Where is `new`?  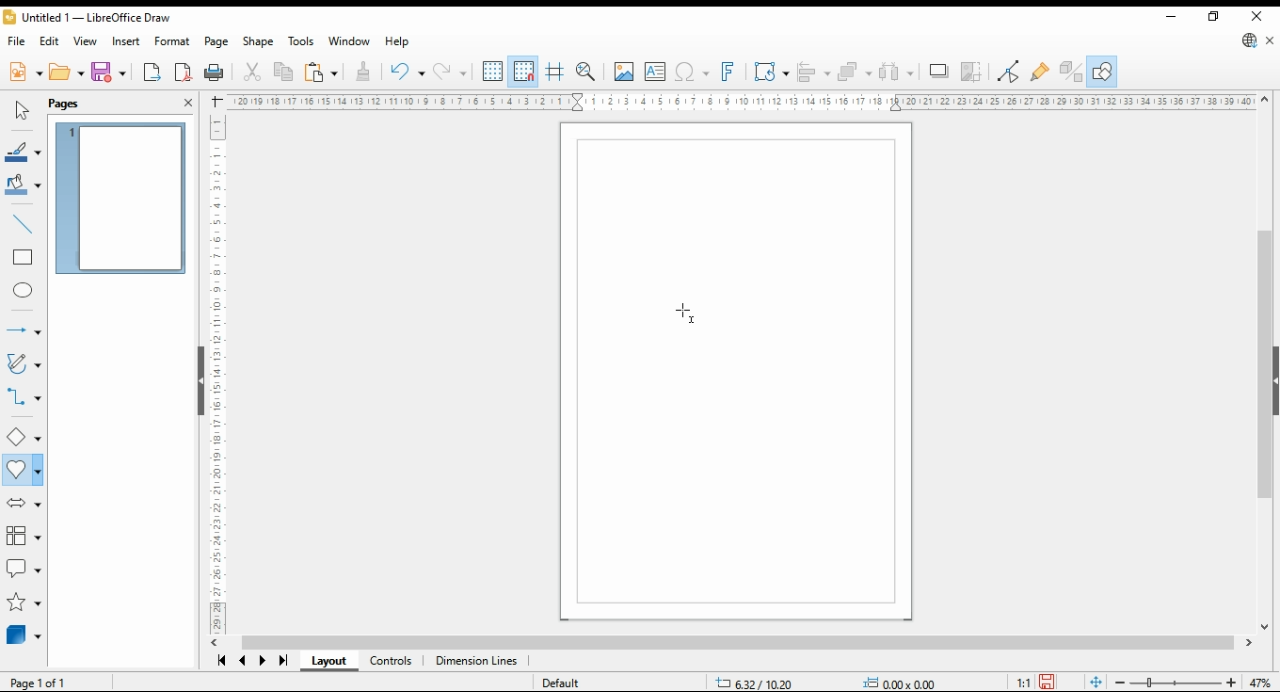
new is located at coordinates (25, 72).